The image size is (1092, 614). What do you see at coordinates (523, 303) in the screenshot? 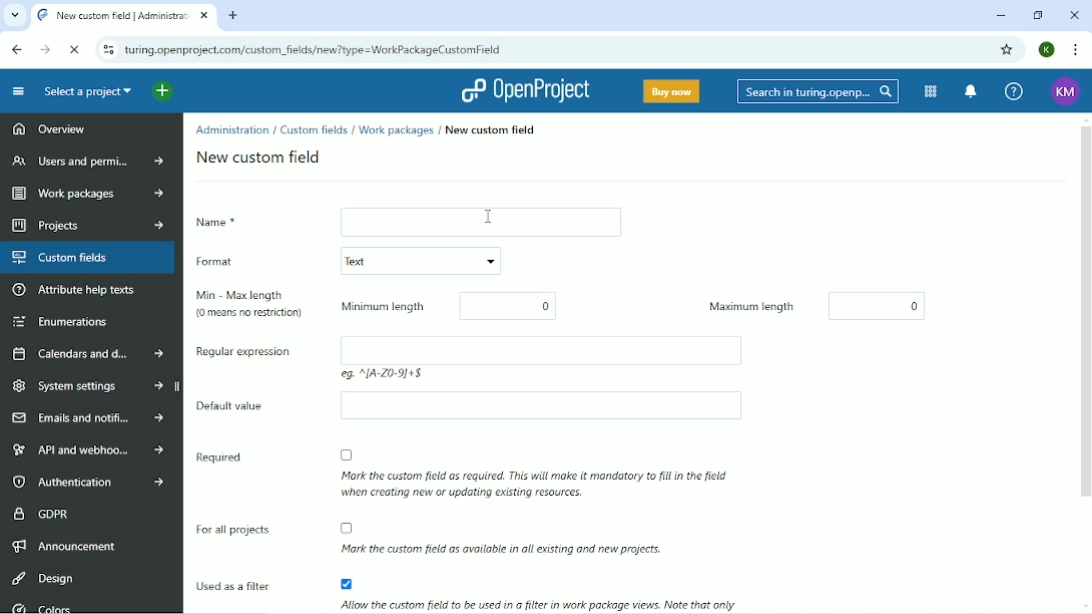
I see `0` at bounding box center [523, 303].